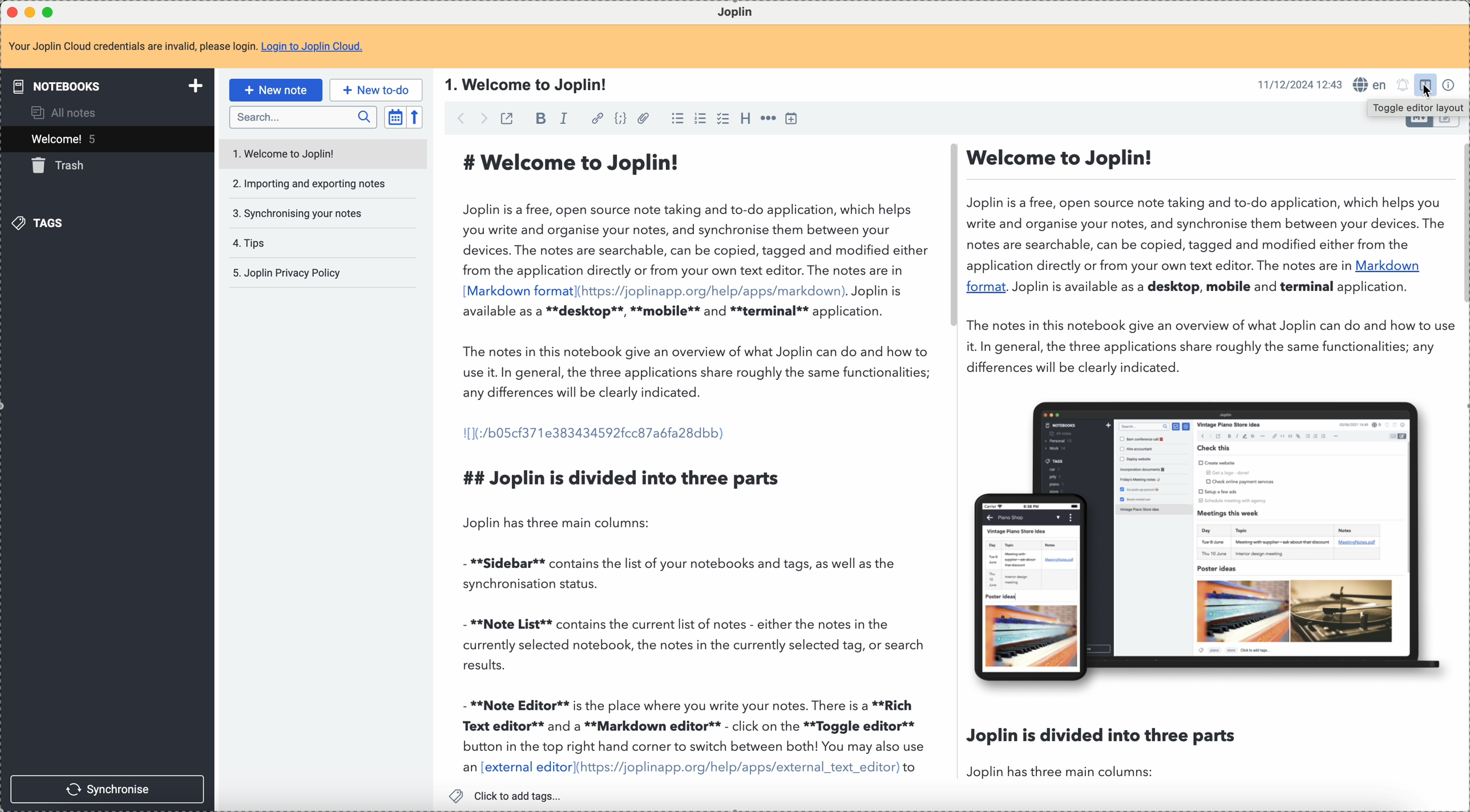  Describe the element at coordinates (1368, 83) in the screenshot. I see `en` at that location.